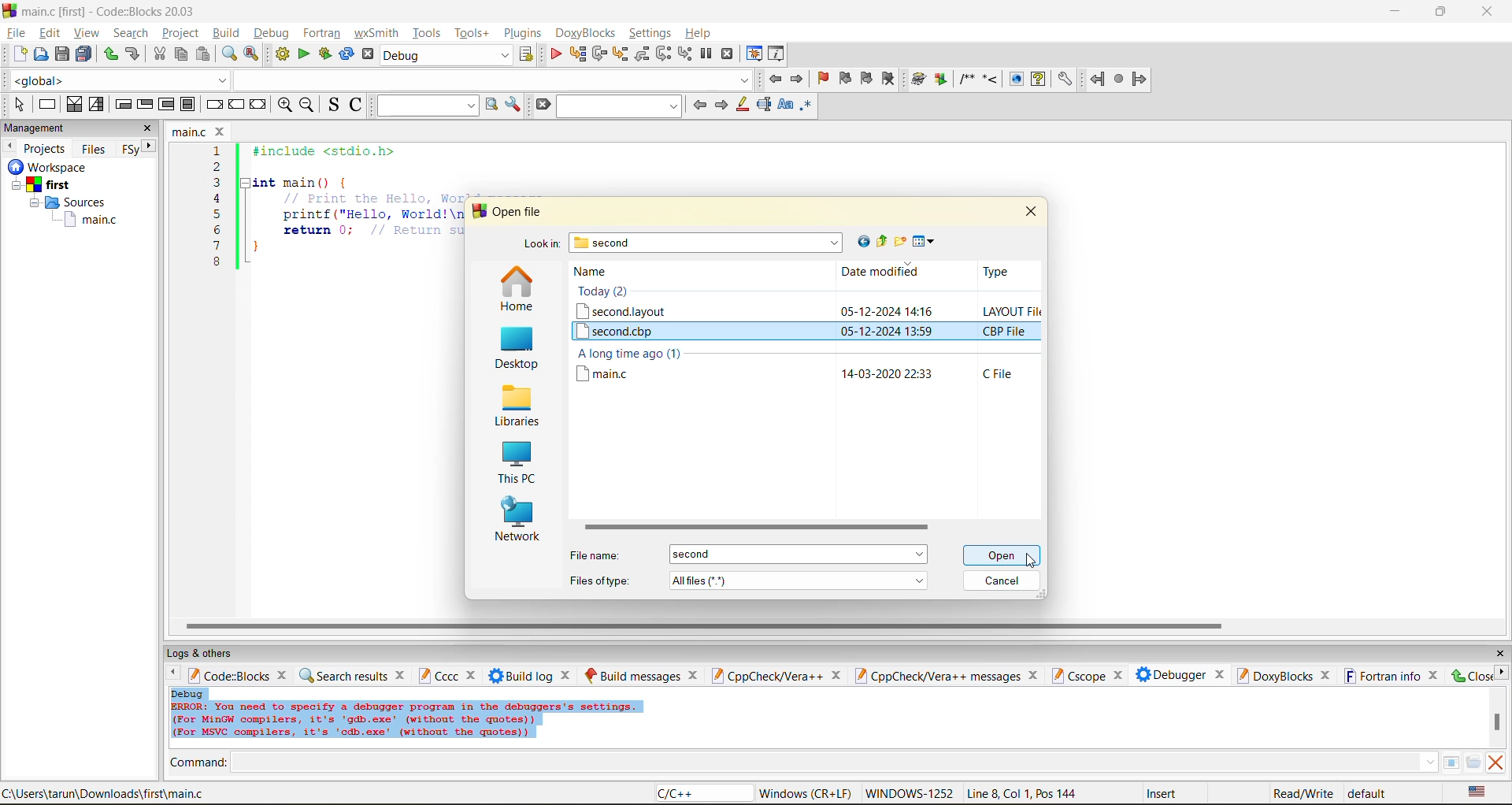 This screenshot has height=805, width=1512. I want to click on Fsy, so click(129, 150).